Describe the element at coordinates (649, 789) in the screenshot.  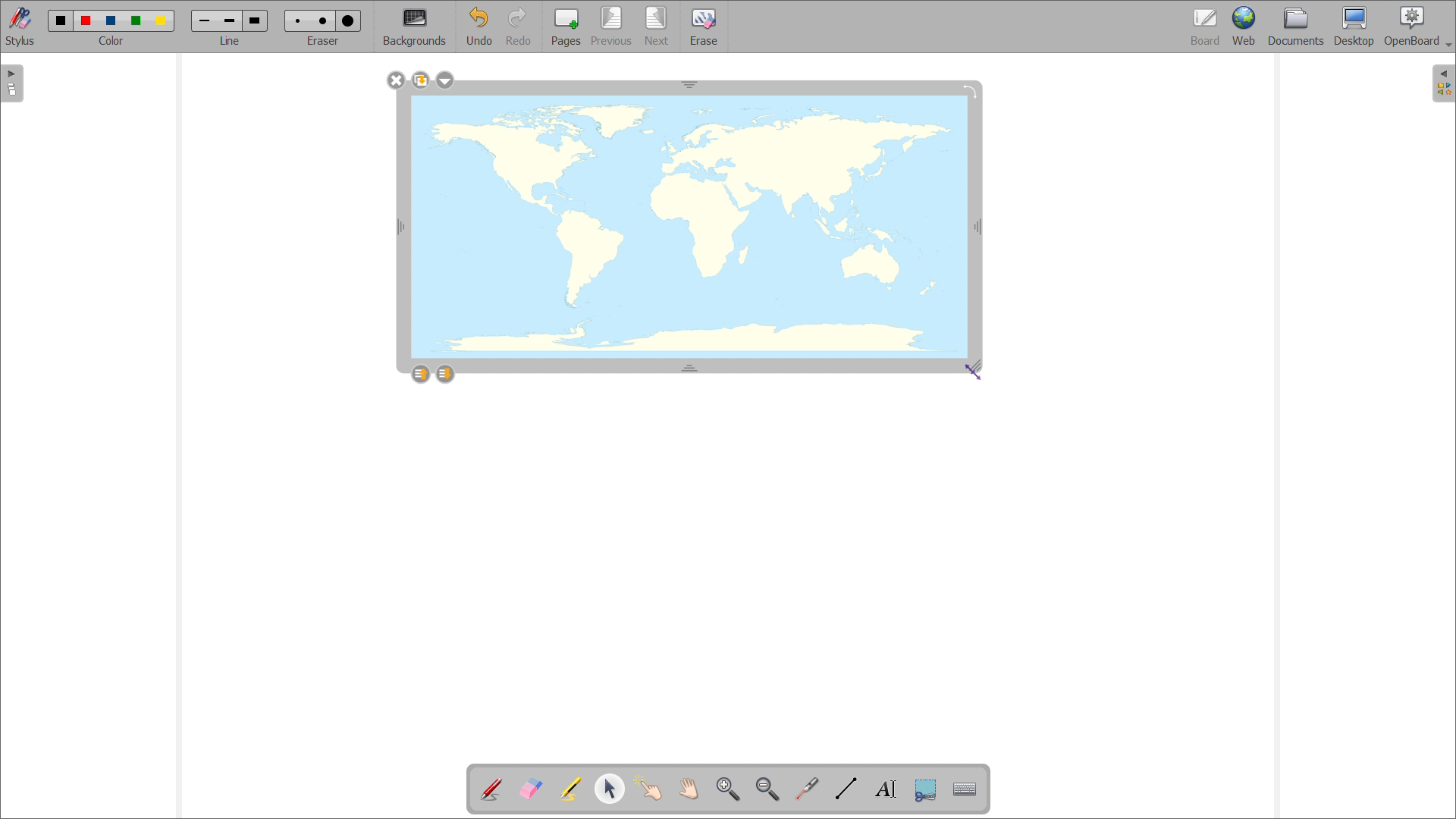
I see `interact with items` at that location.